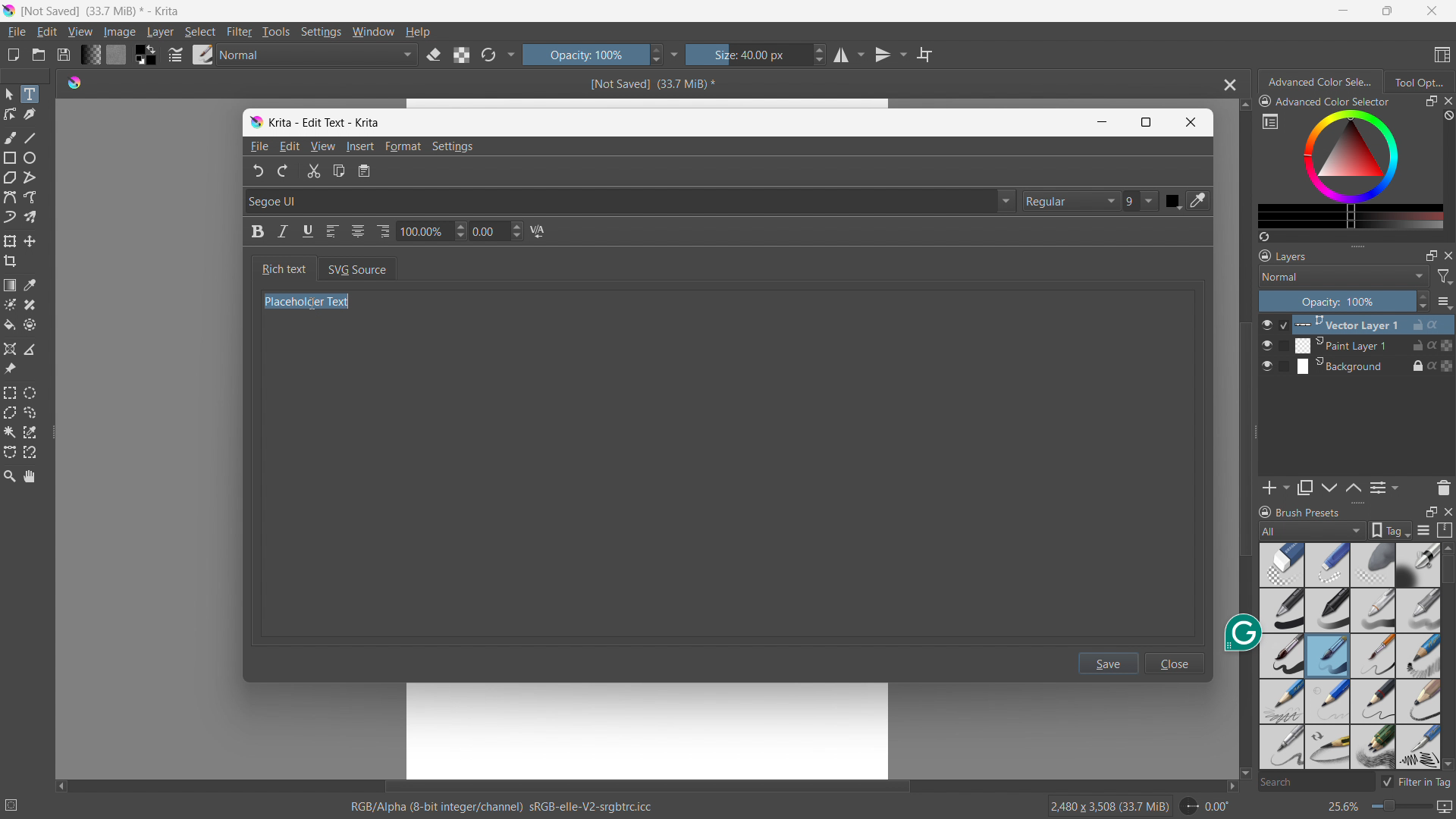 The width and height of the screenshot is (1456, 819). What do you see at coordinates (10, 369) in the screenshot?
I see `reference images tool` at bounding box center [10, 369].